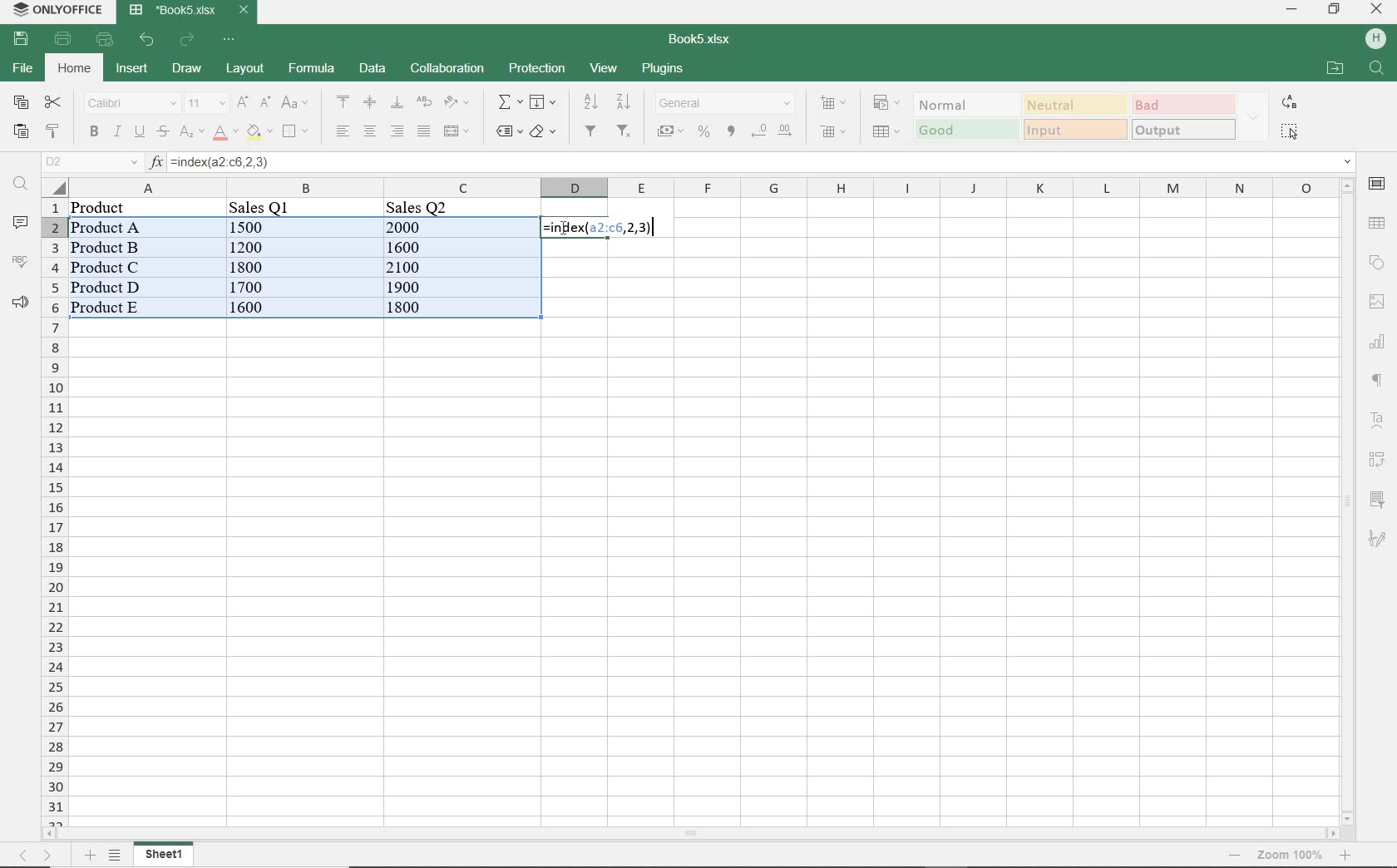 The image size is (1397, 868). I want to click on bad, so click(1181, 104).